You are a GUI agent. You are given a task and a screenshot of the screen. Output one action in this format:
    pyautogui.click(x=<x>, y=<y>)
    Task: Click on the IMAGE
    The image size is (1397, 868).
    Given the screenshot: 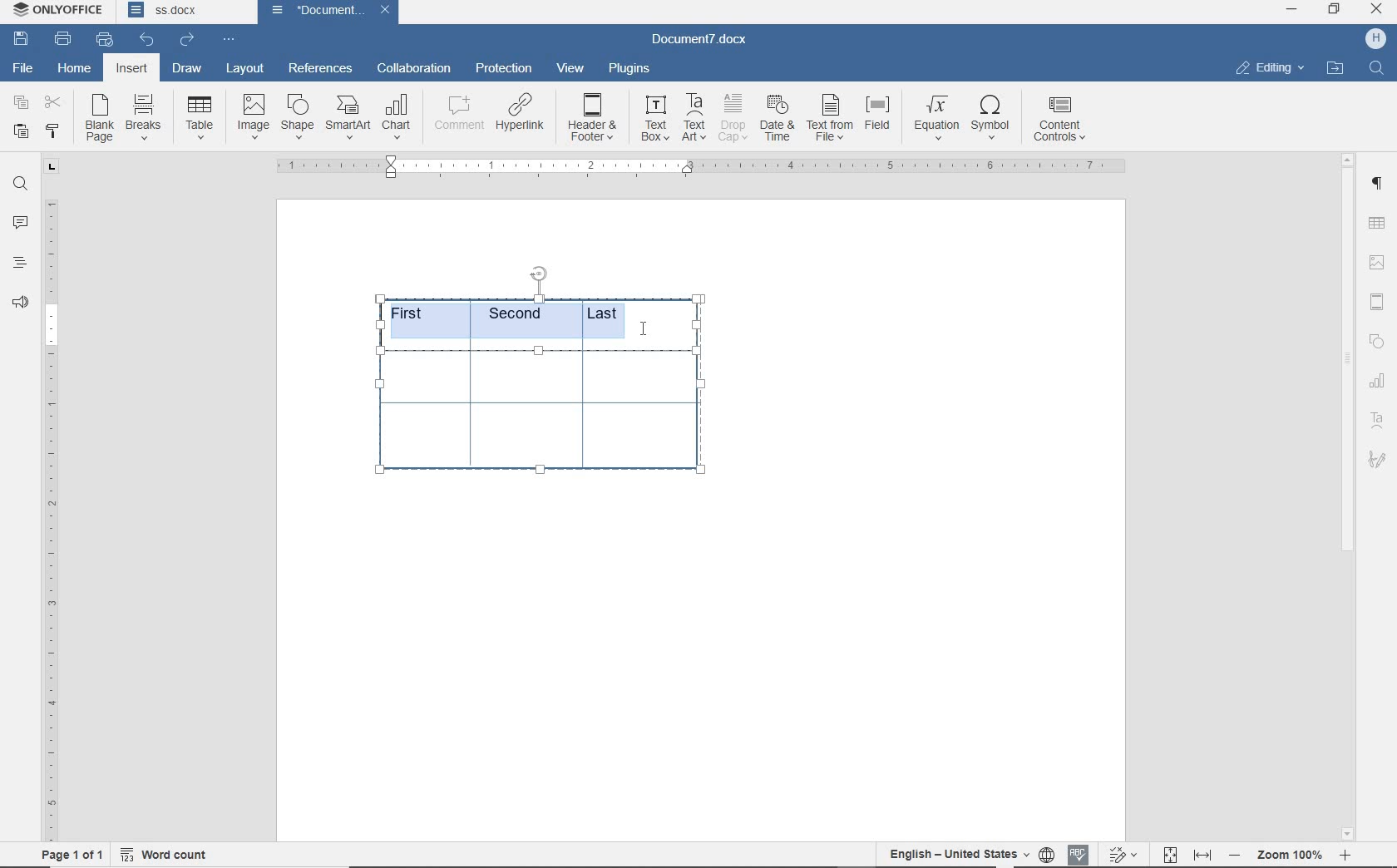 What is the action you would take?
    pyautogui.click(x=1378, y=262)
    